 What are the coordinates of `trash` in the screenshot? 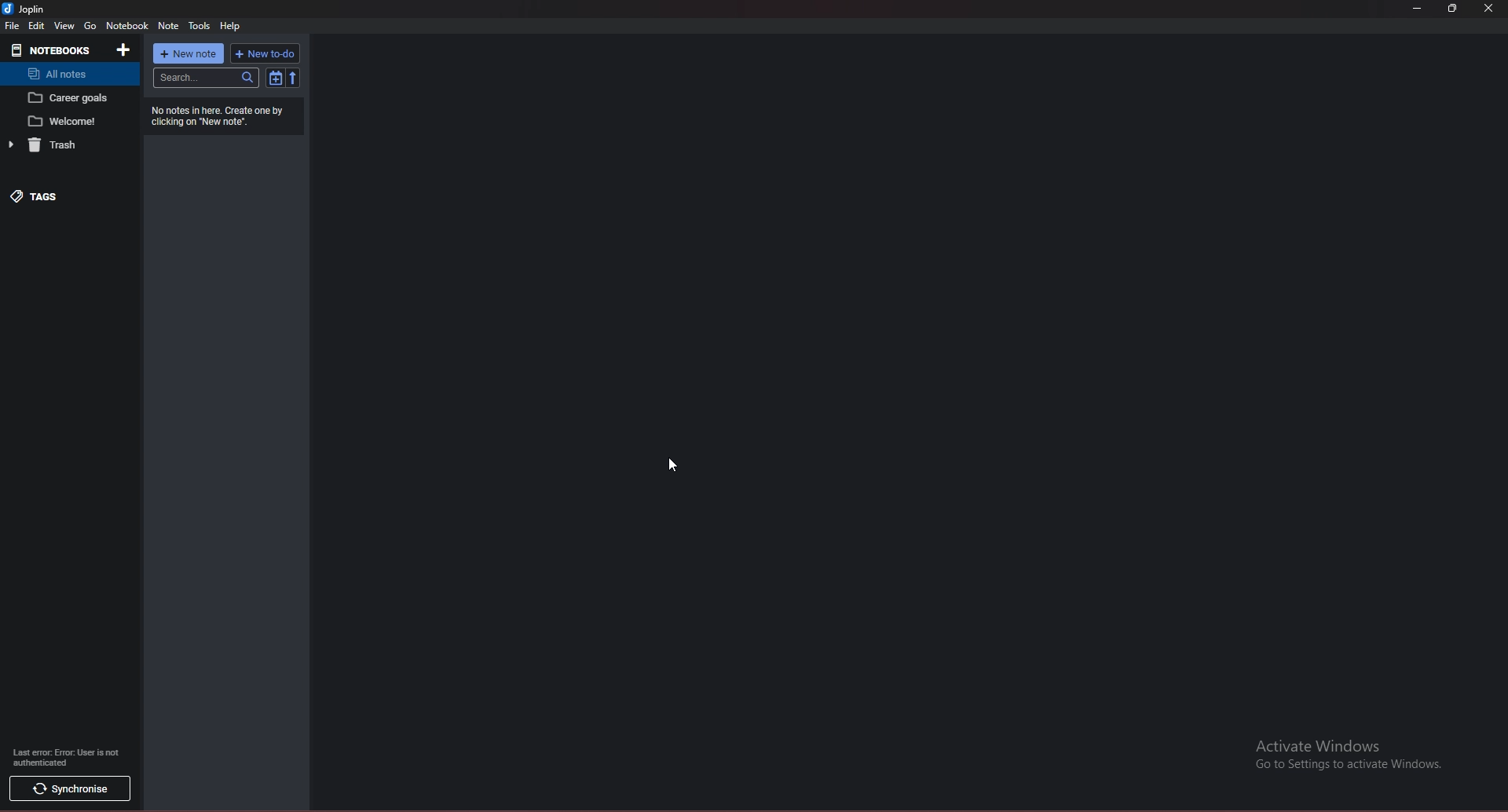 It's located at (59, 144).